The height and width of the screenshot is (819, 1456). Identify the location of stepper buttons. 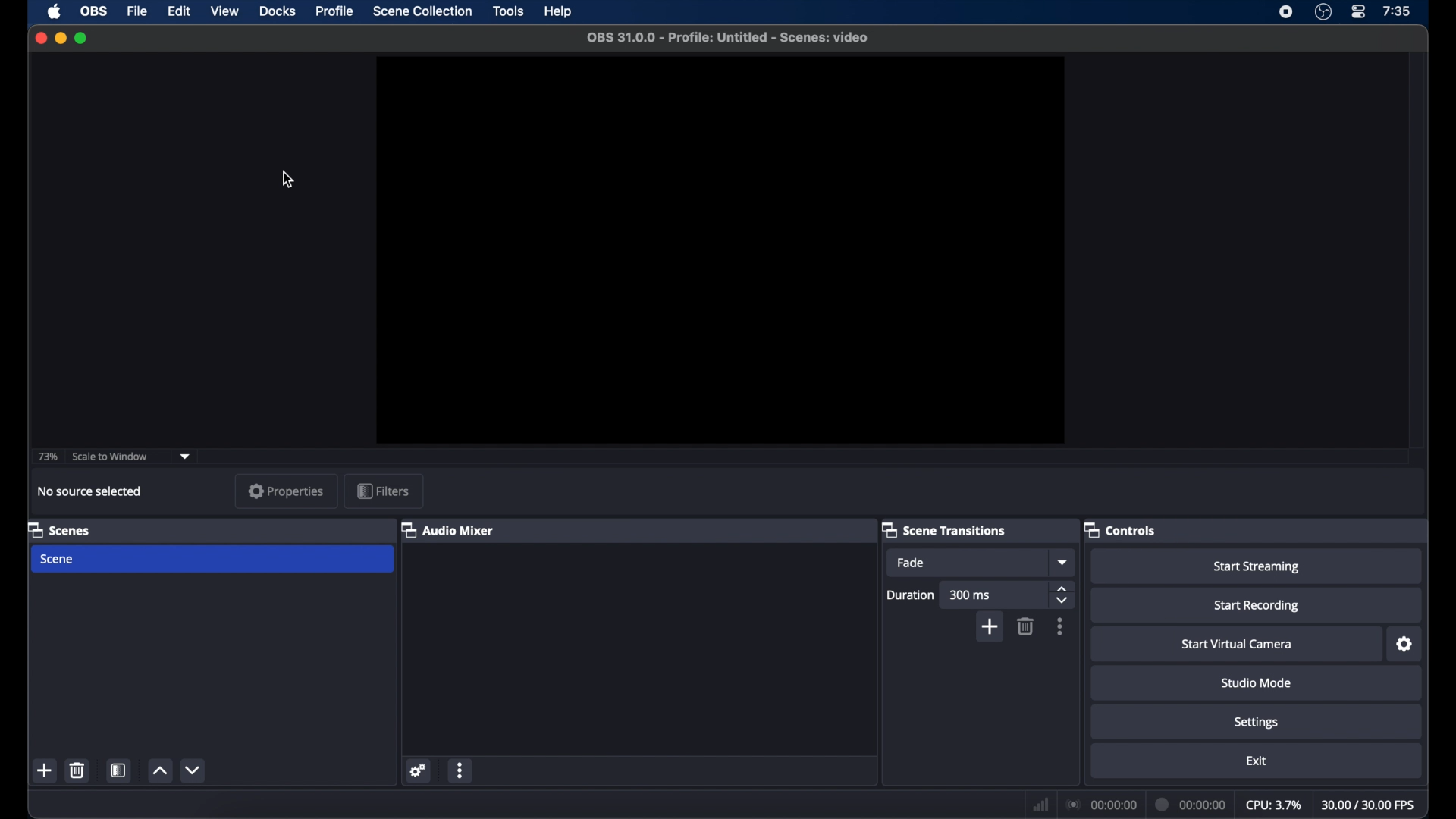
(1063, 595).